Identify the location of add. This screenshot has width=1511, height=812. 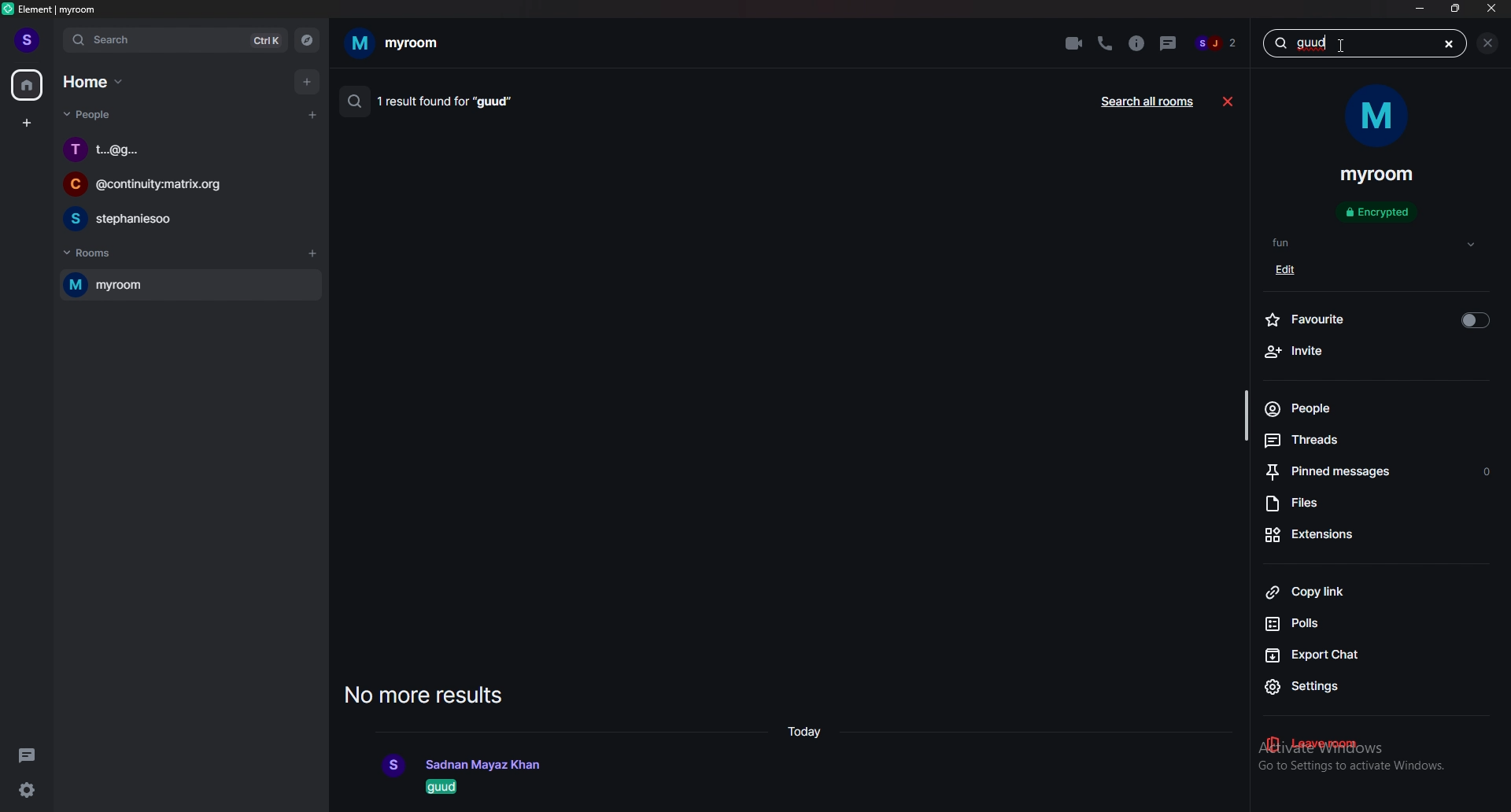
(308, 83).